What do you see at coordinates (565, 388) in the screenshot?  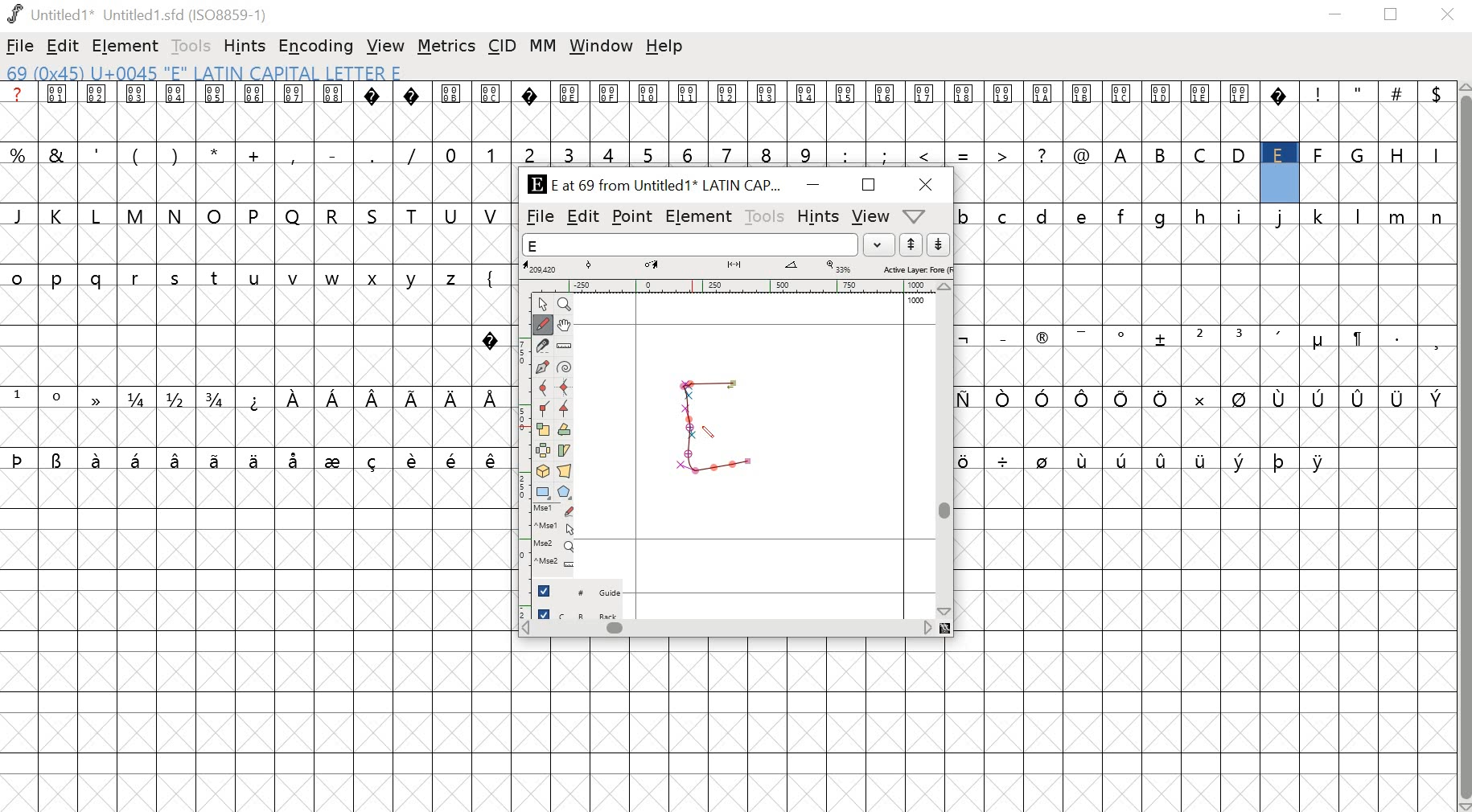 I see `HV Curve` at bounding box center [565, 388].